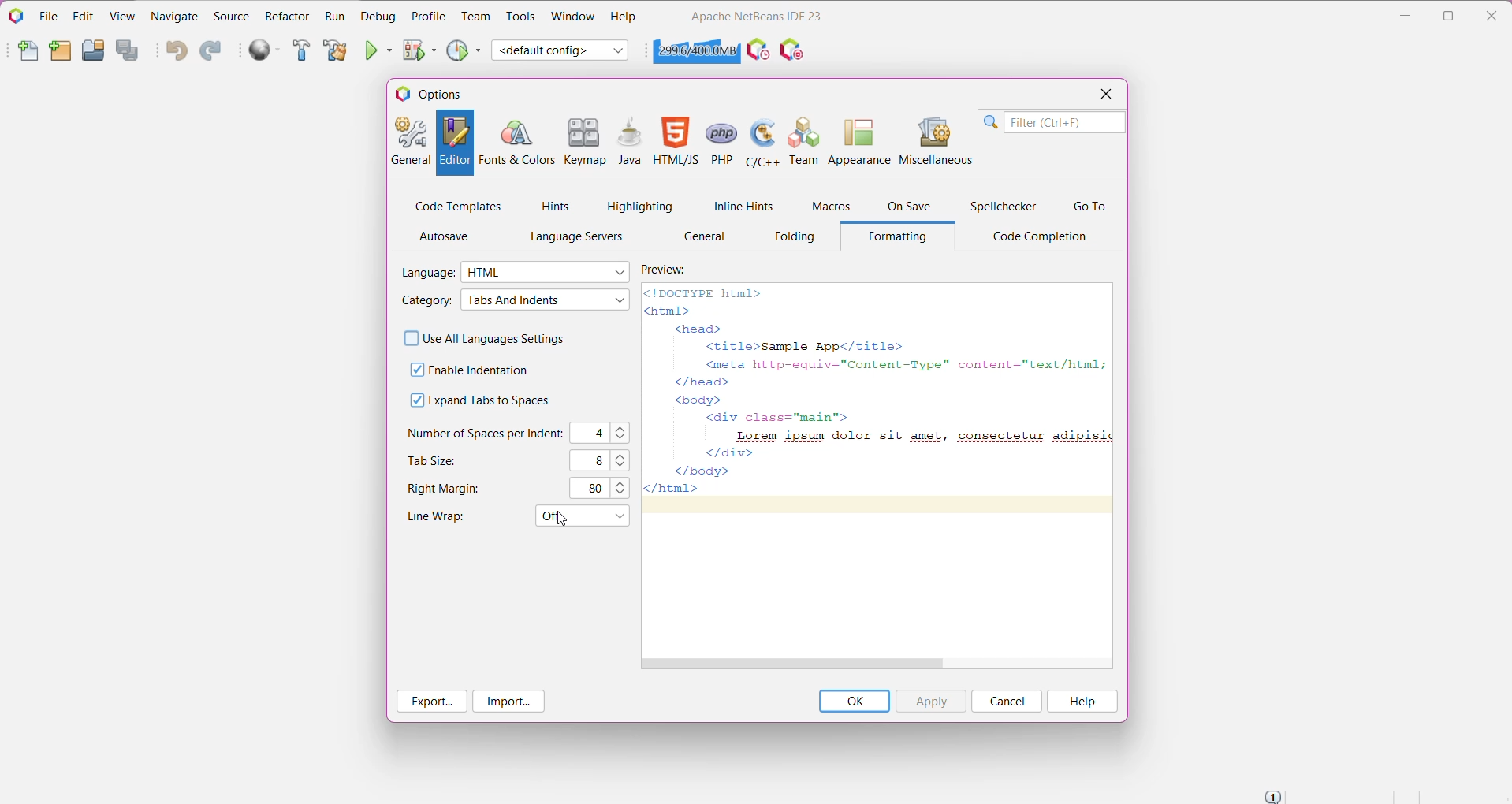  What do you see at coordinates (377, 16) in the screenshot?
I see `Debug` at bounding box center [377, 16].